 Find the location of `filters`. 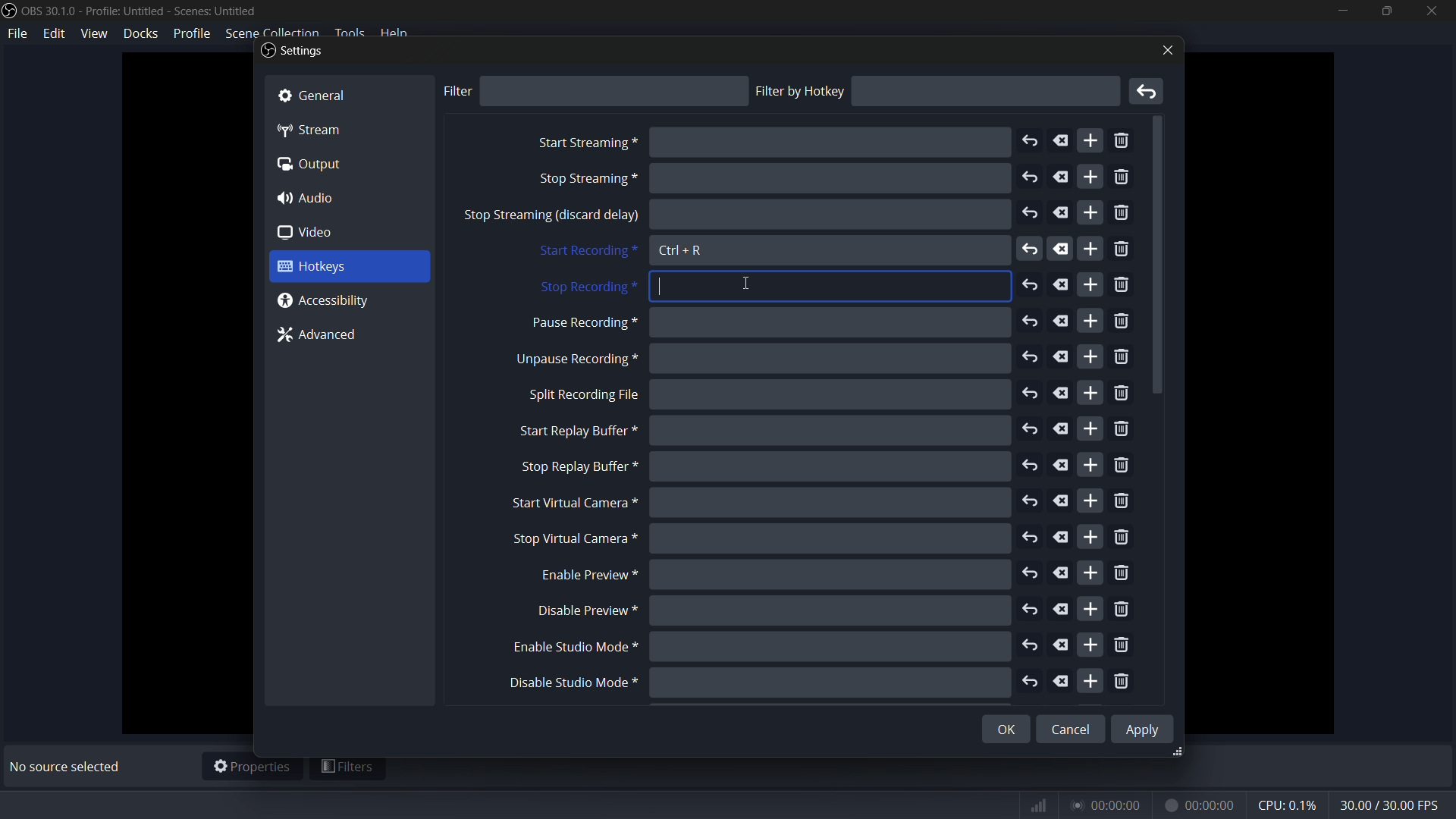

filters is located at coordinates (348, 769).